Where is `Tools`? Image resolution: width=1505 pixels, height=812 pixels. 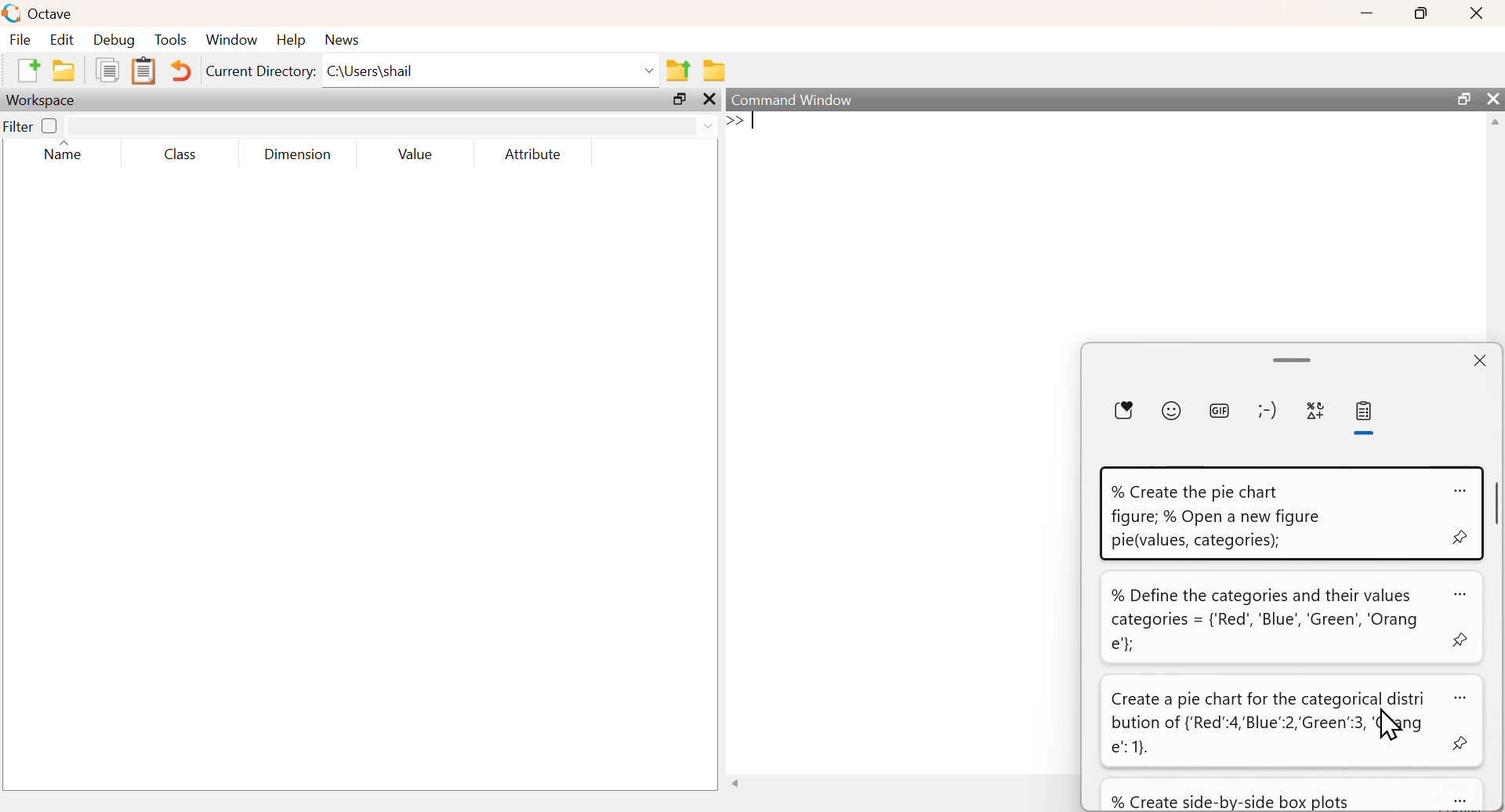 Tools is located at coordinates (172, 39).